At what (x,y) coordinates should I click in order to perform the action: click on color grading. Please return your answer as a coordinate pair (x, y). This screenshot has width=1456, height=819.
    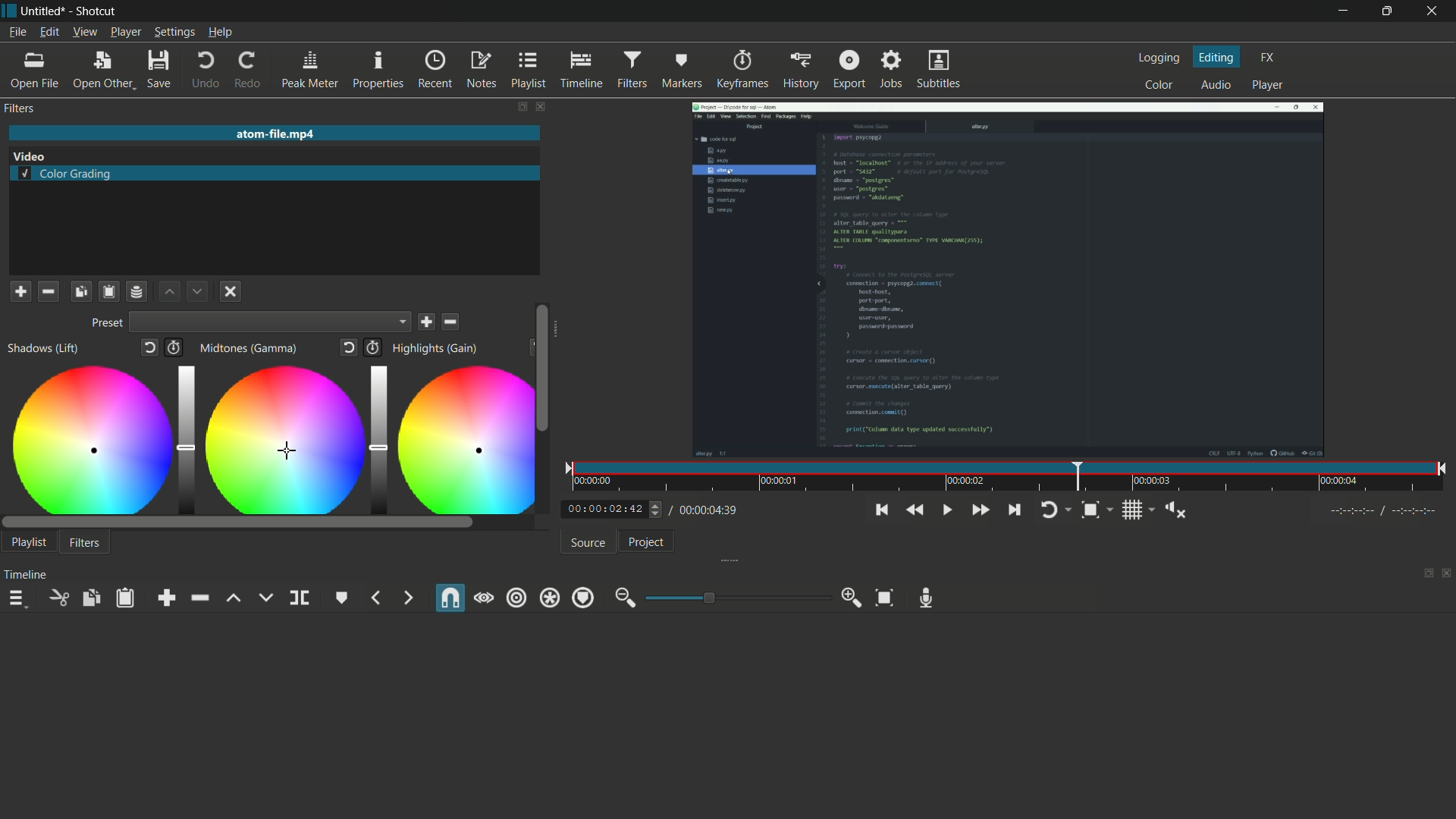
    Looking at the image, I should click on (66, 175).